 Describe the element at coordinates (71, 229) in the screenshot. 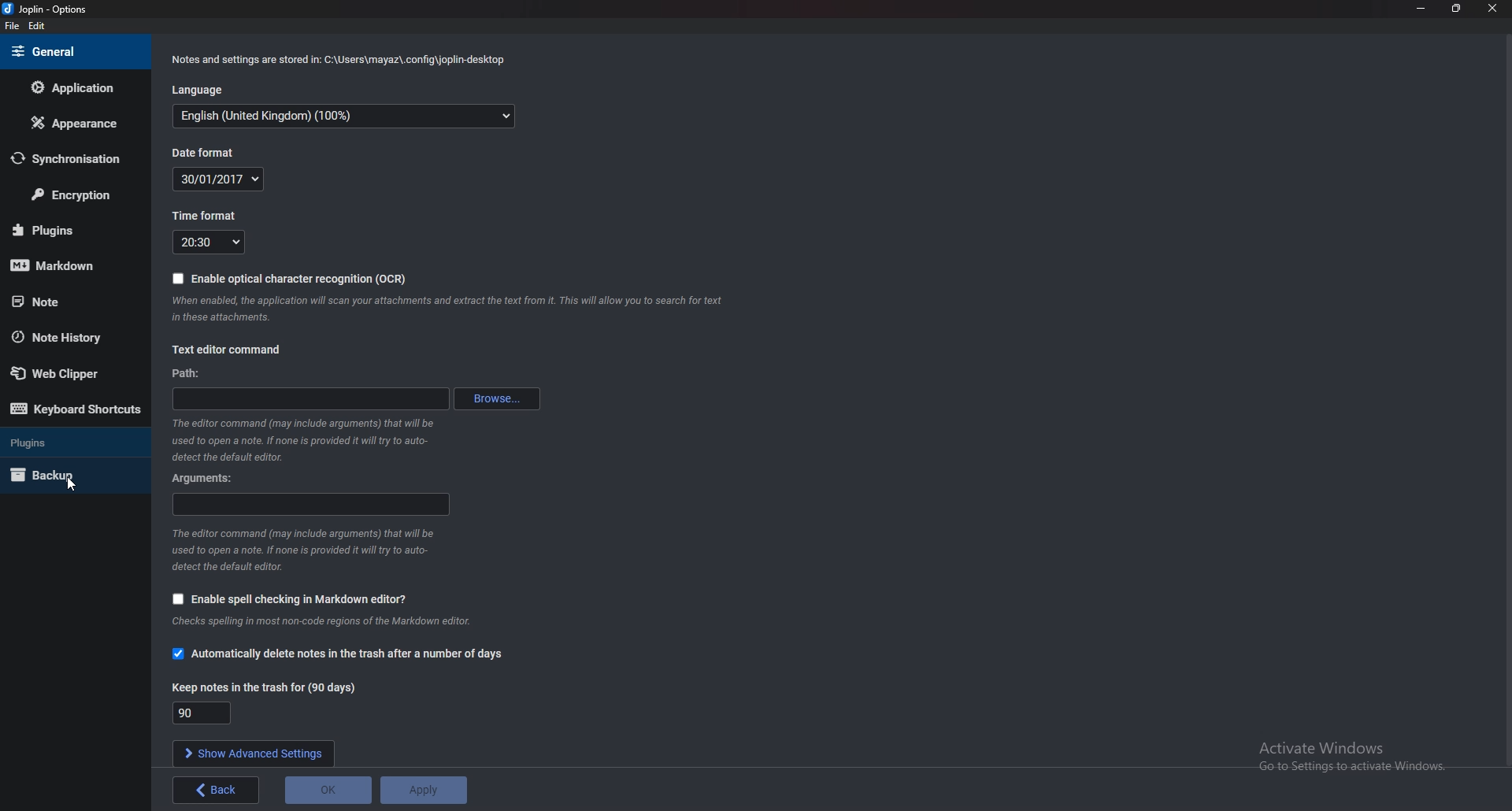

I see `Plugins` at that location.